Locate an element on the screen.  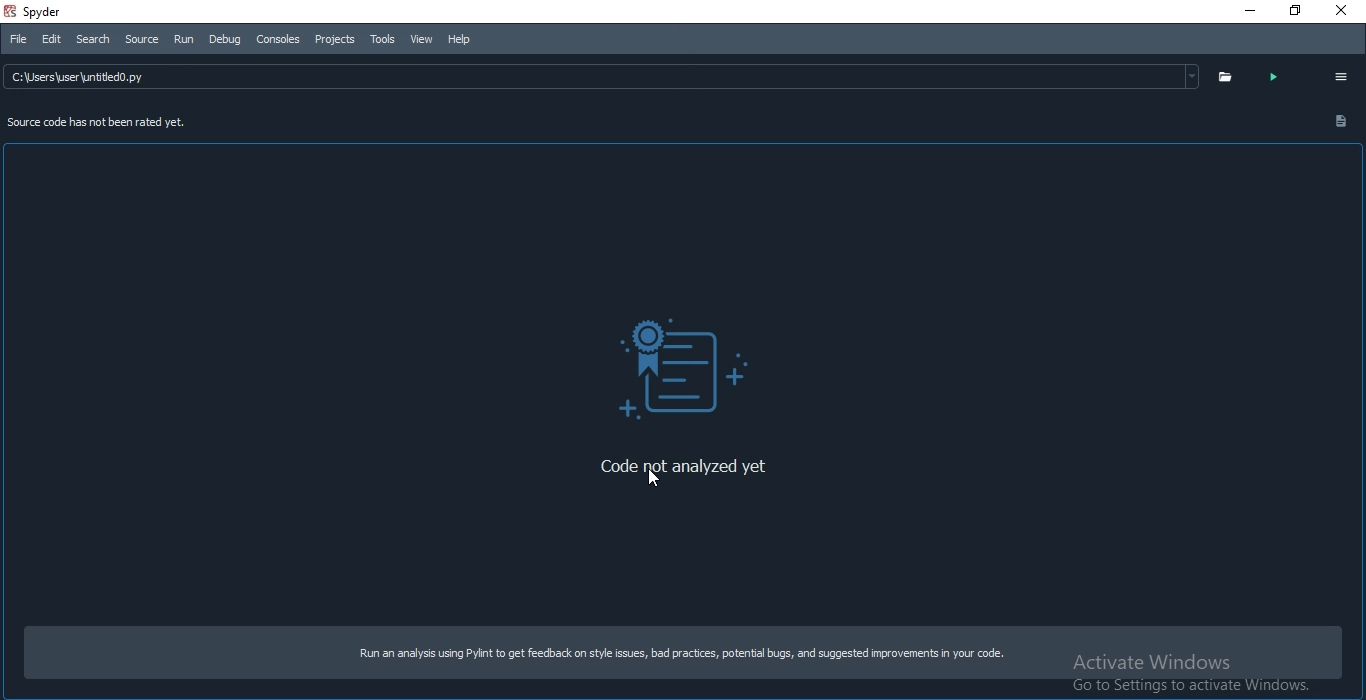
File  is located at coordinates (17, 39).